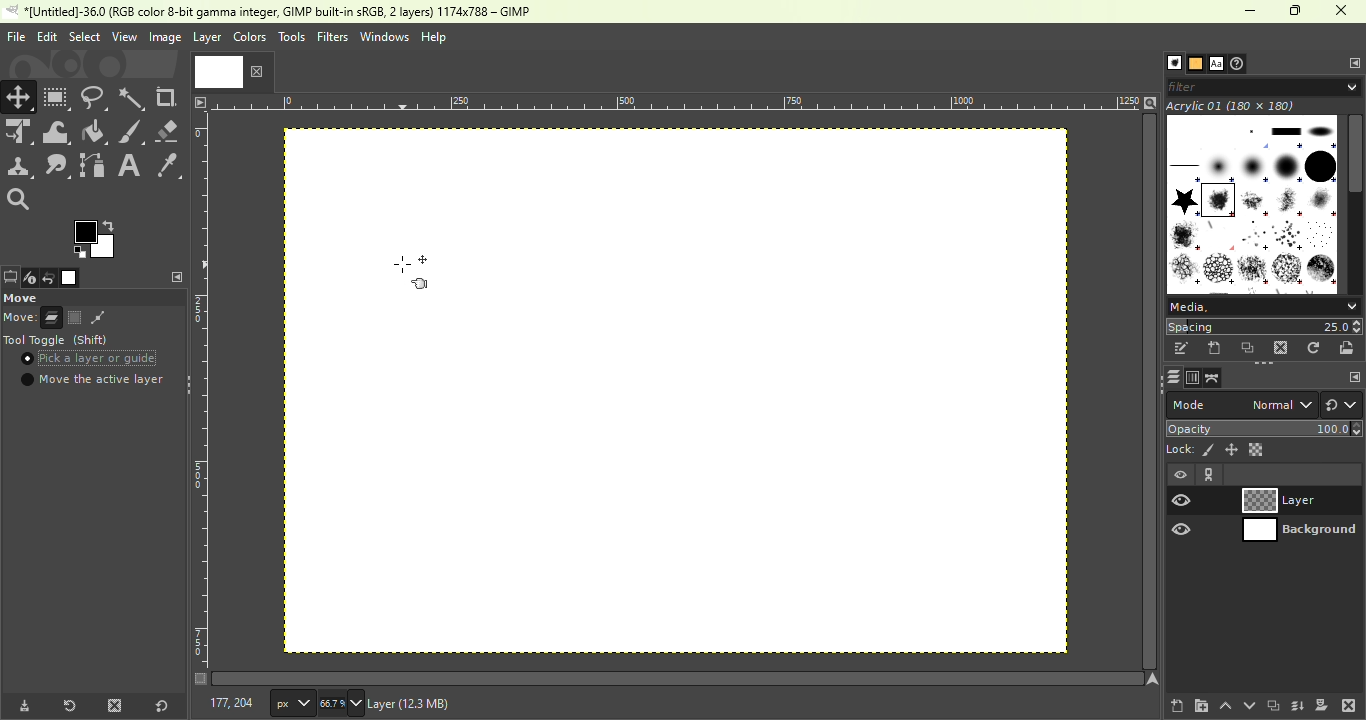 The width and height of the screenshot is (1366, 720). I want to click on Delete the brushes, so click(1283, 348).